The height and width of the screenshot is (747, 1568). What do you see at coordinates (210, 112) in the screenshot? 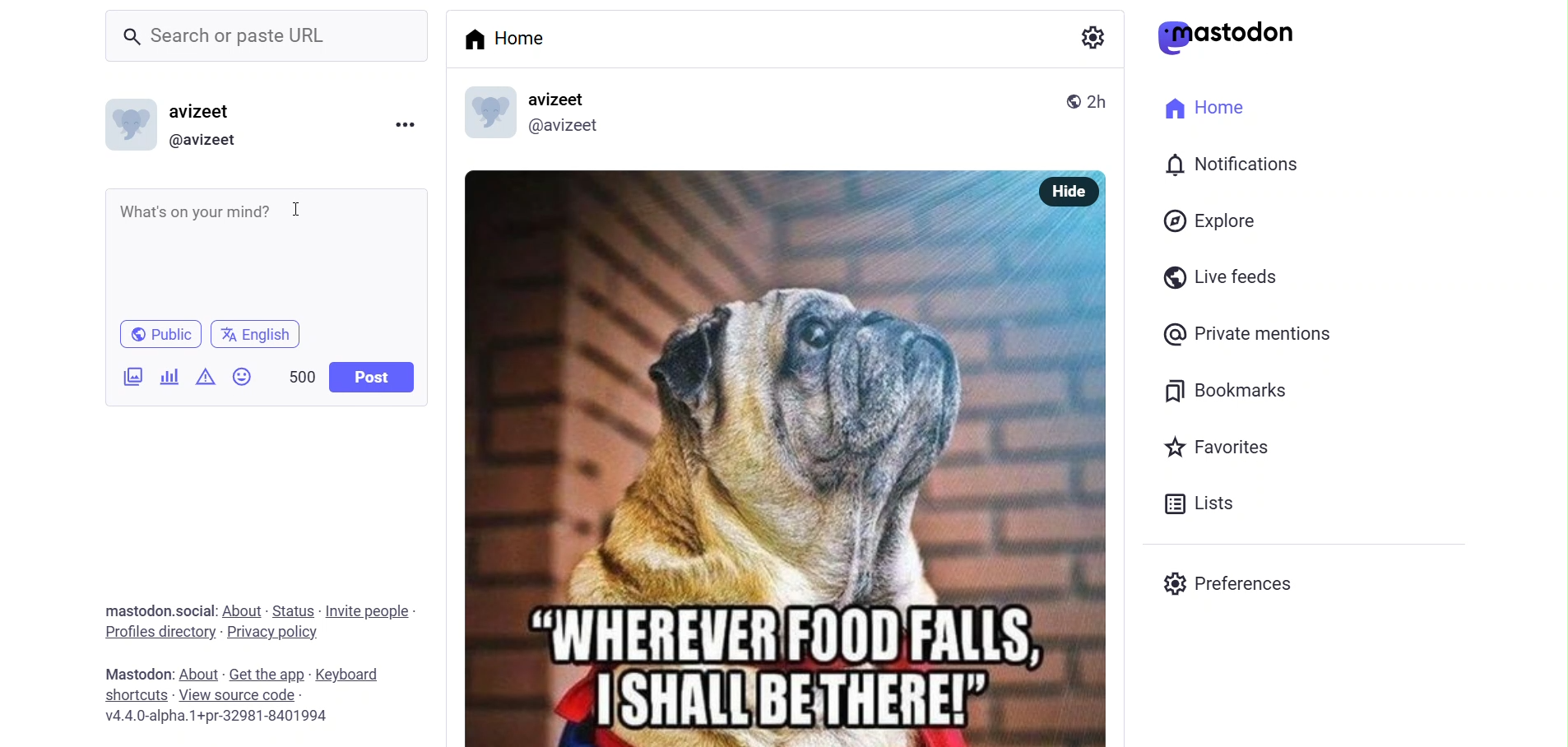
I see `name` at bounding box center [210, 112].